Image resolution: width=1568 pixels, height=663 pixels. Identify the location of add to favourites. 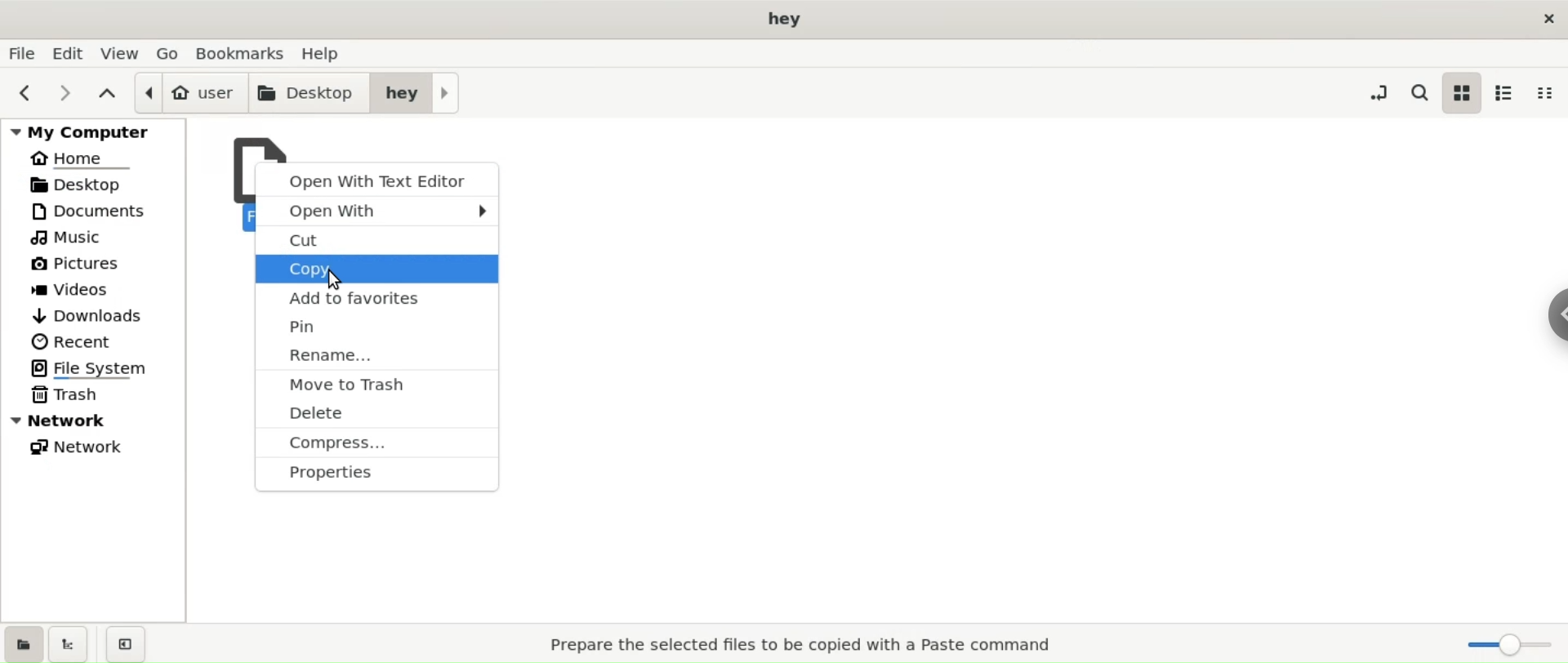
(375, 298).